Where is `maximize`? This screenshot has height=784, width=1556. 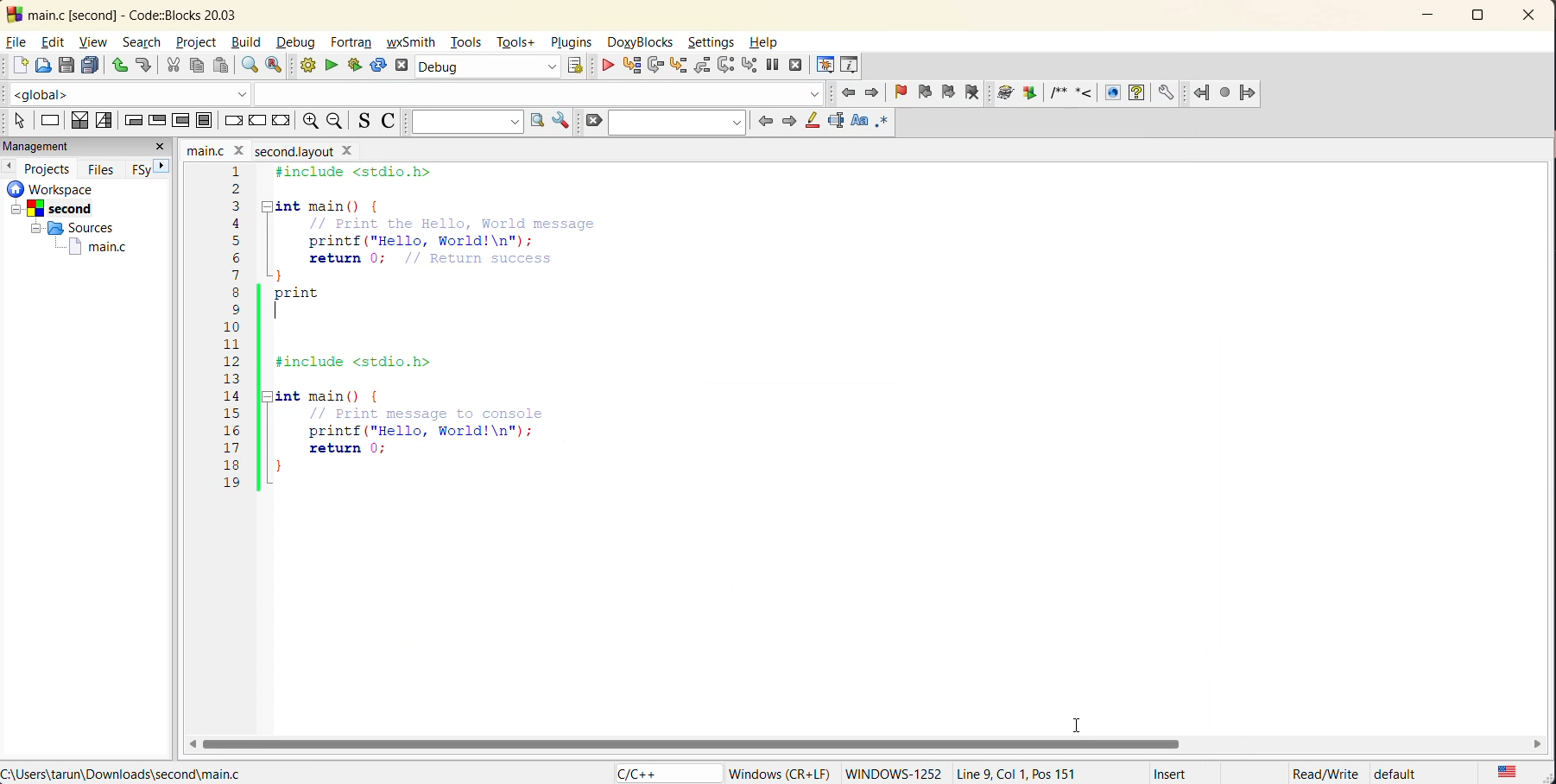 maximize is located at coordinates (1483, 18).